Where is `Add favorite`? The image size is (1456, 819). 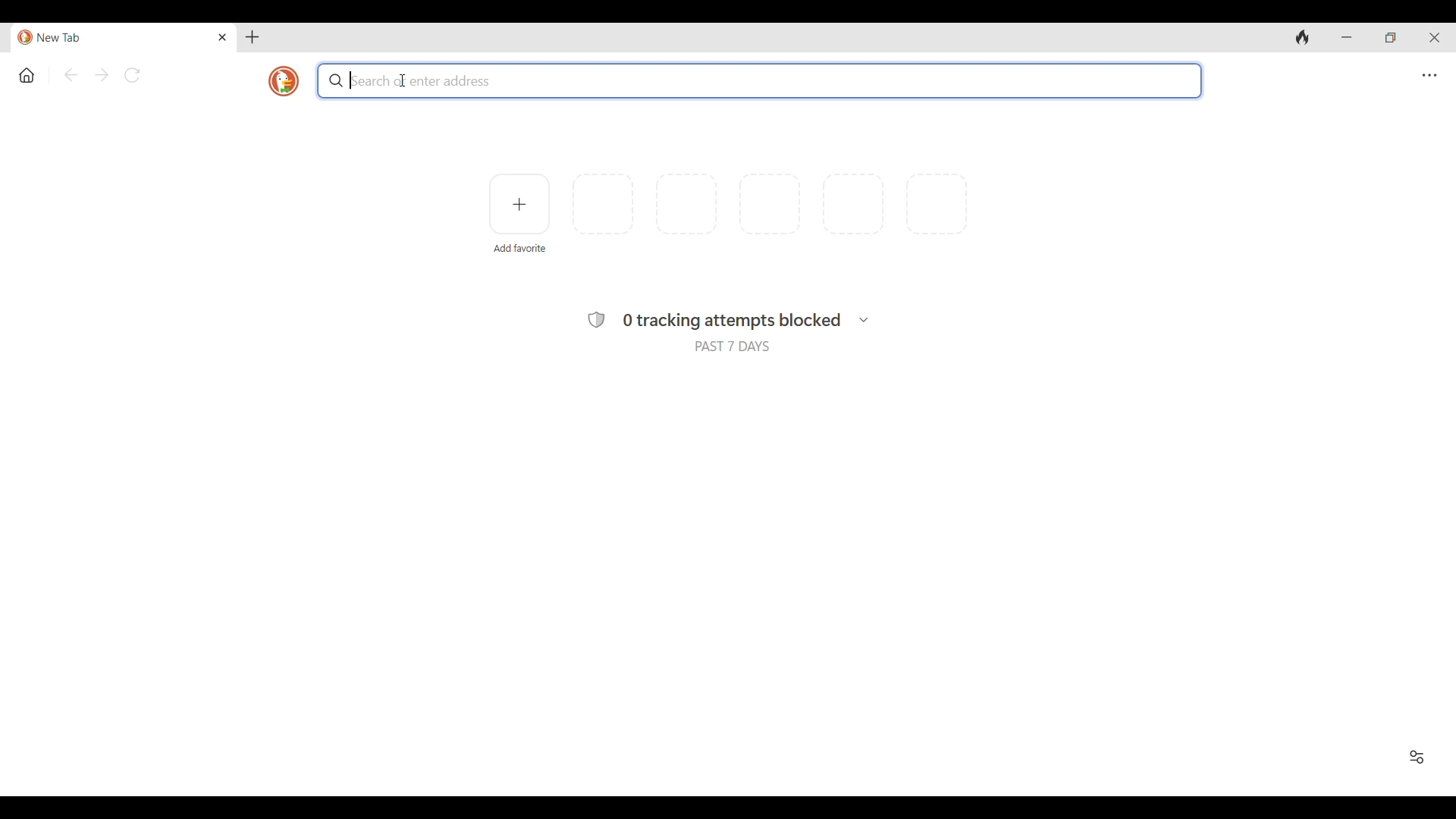 Add favorite is located at coordinates (521, 249).